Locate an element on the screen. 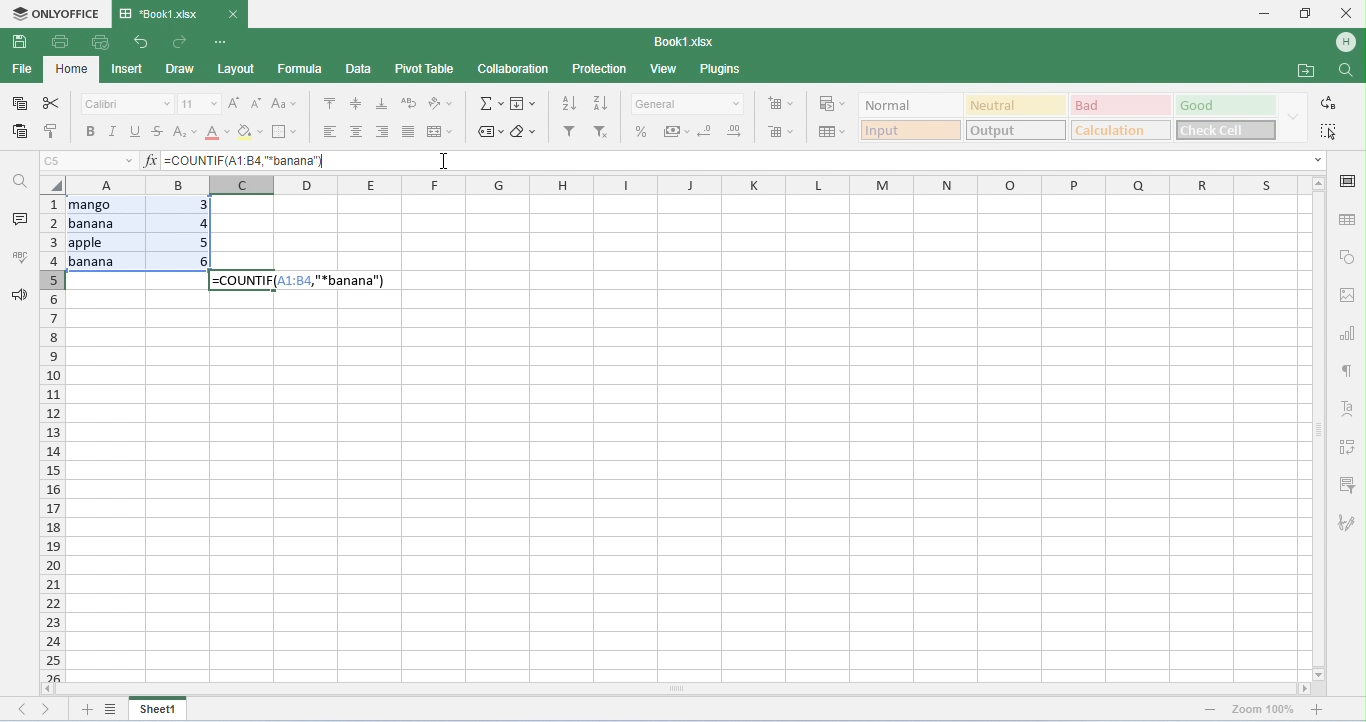 Image resolution: width=1366 pixels, height=722 pixels. align middle is located at coordinates (358, 104).